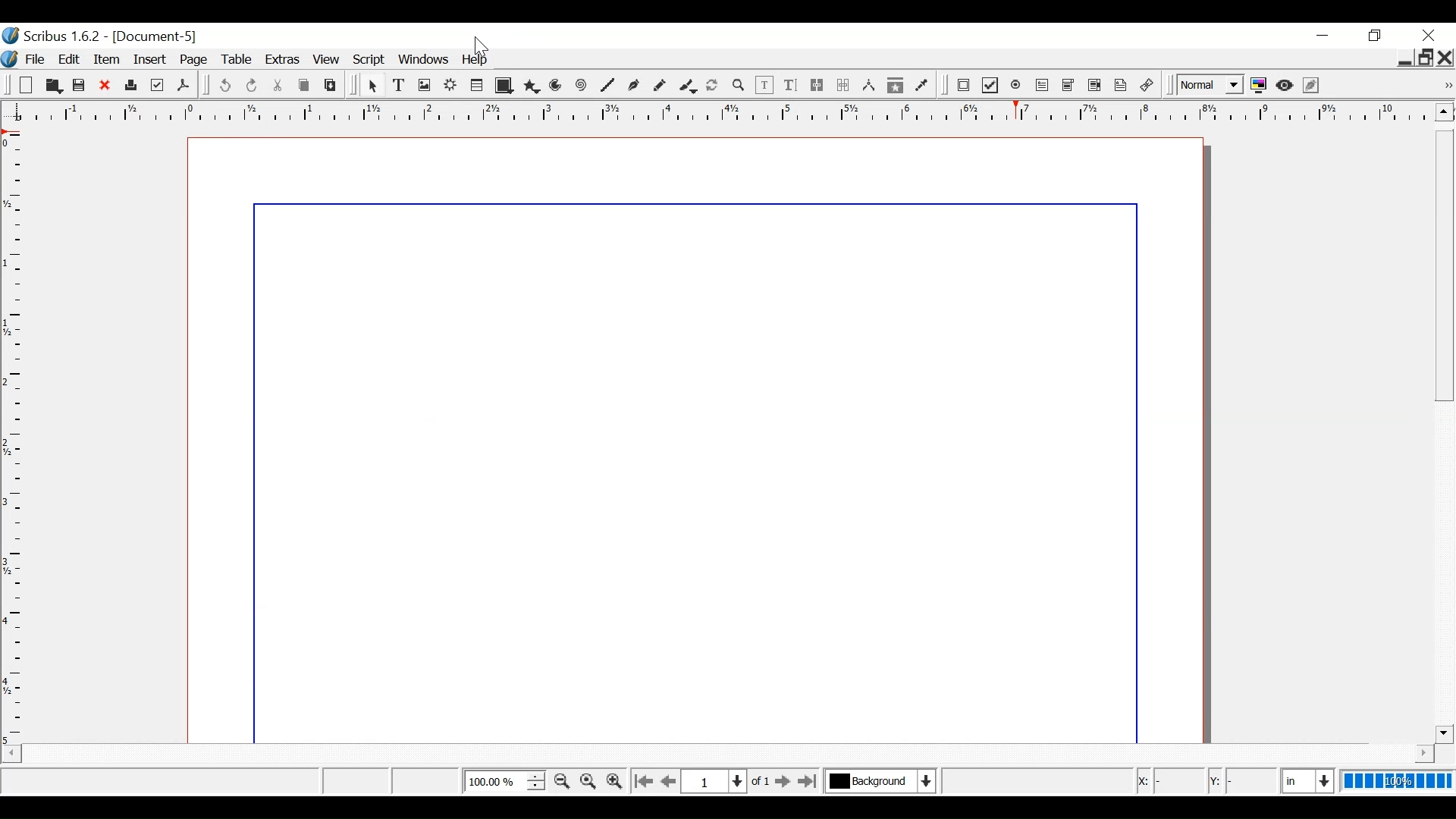 This screenshot has width=1456, height=819. I want to click on Extras, so click(283, 61).